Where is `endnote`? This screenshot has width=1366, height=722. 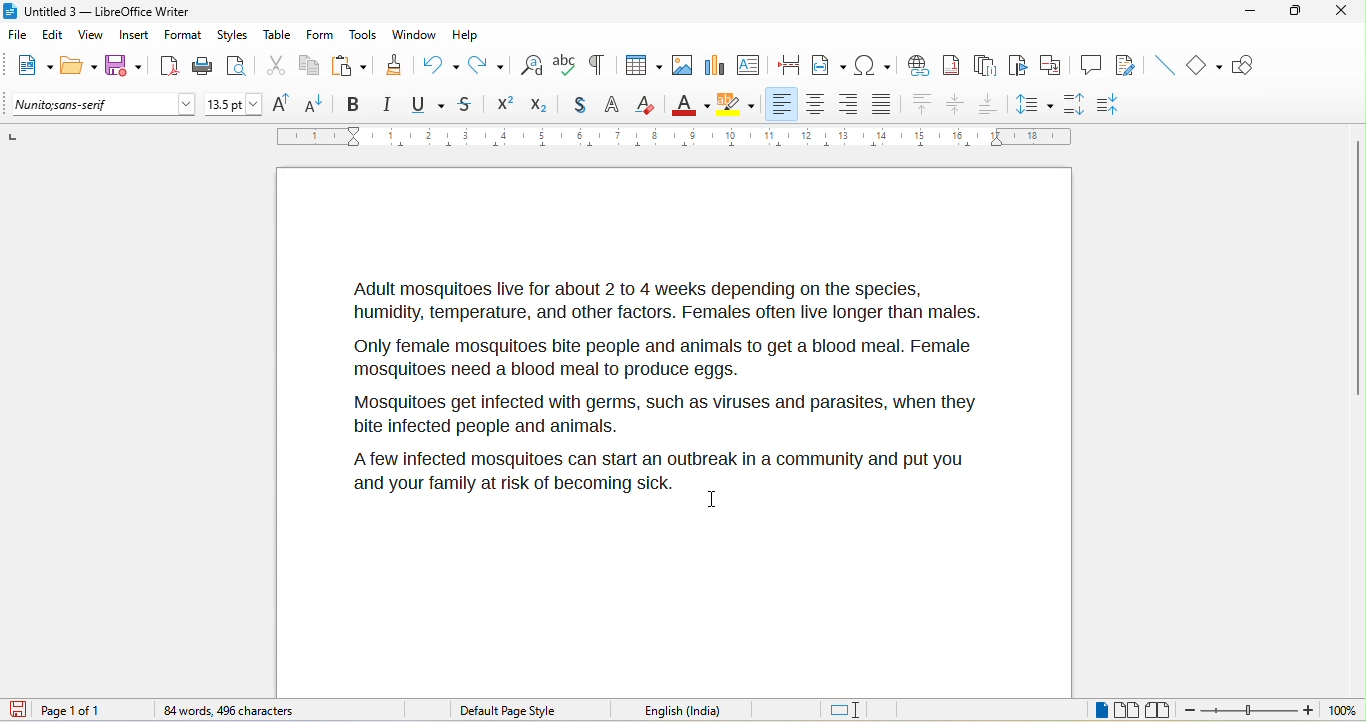 endnote is located at coordinates (985, 66).